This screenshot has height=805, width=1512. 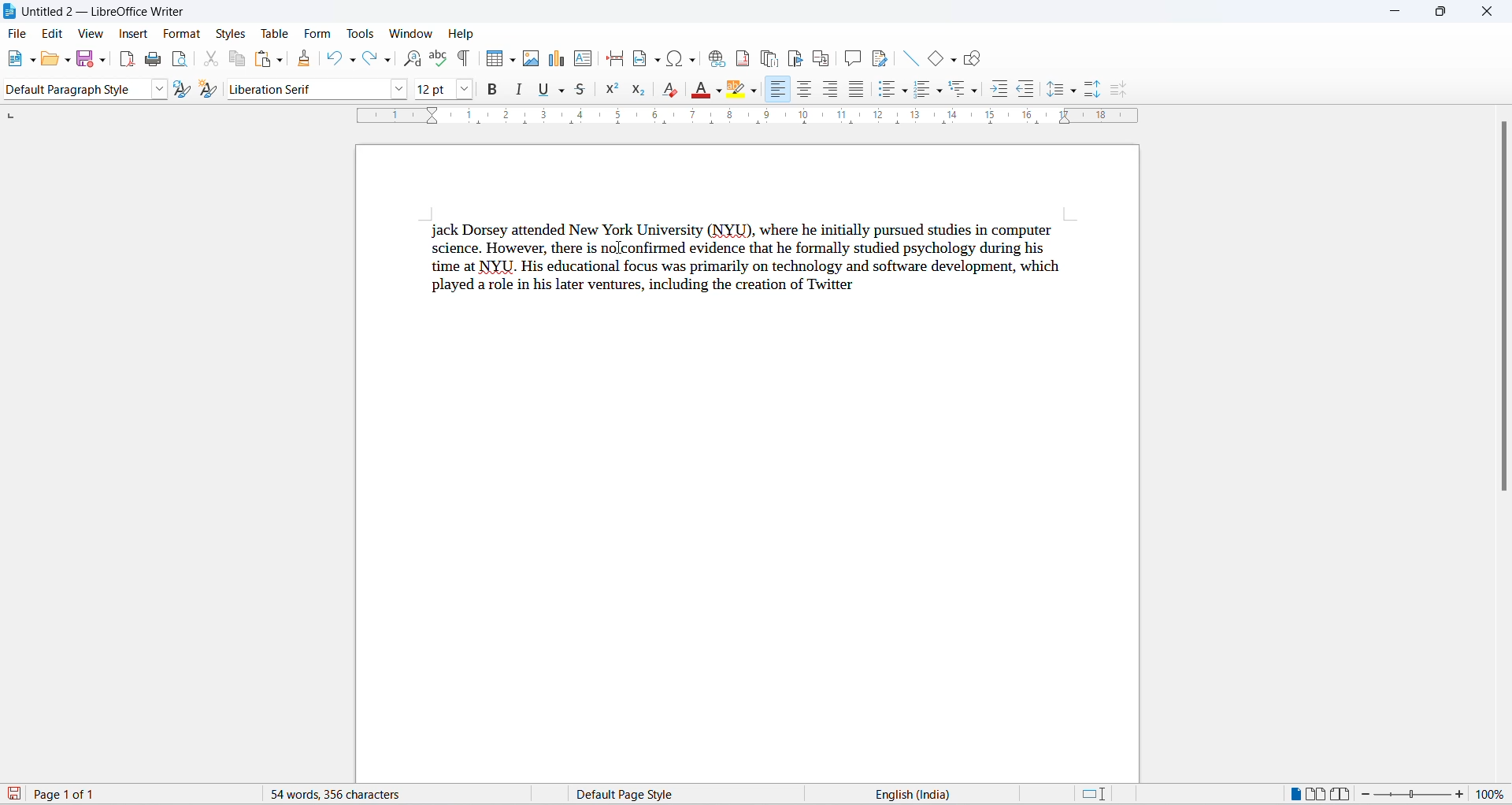 I want to click on standard selection, so click(x=1094, y=794).